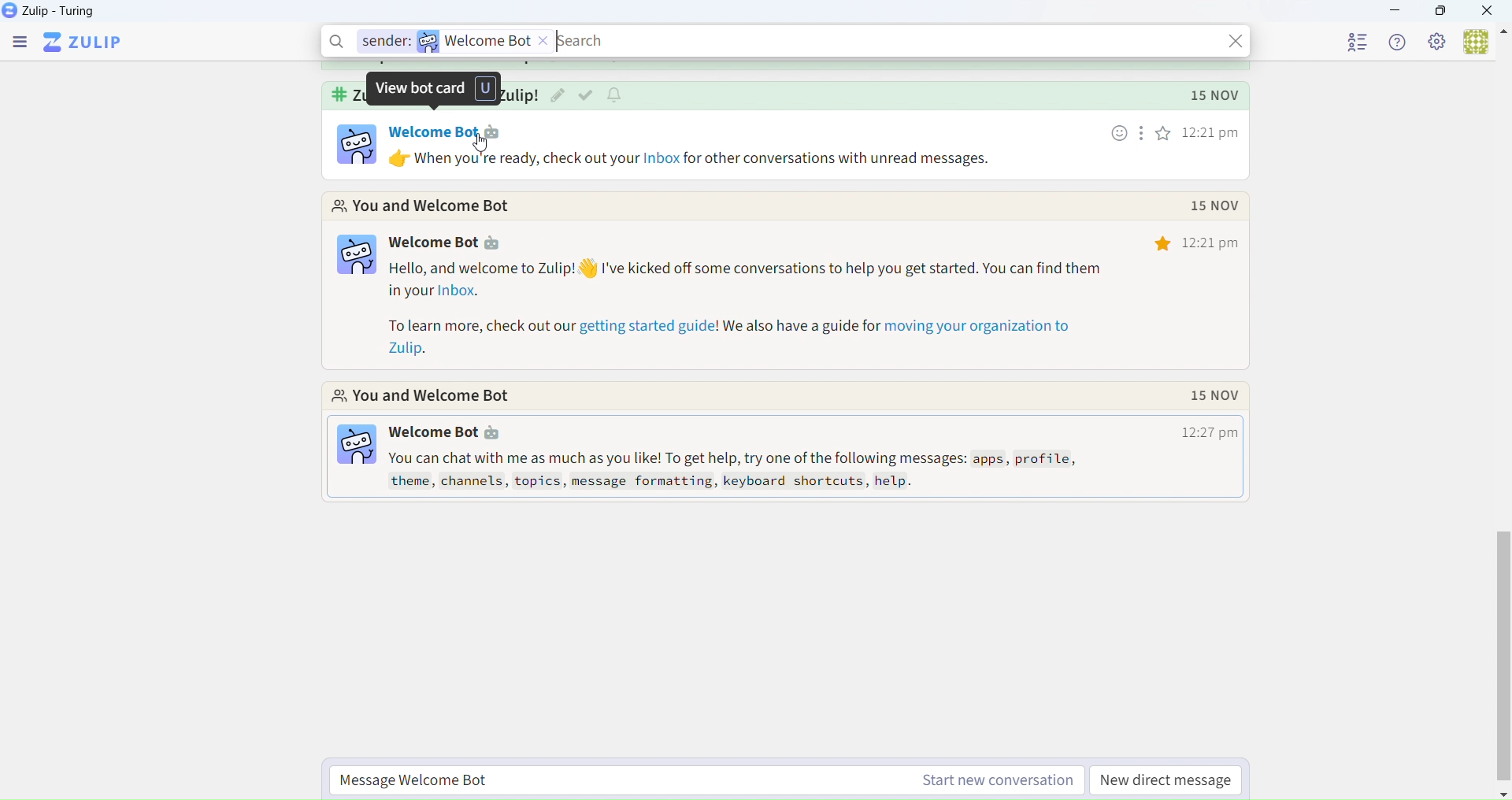 The height and width of the screenshot is (800, 1512). What do you see at coordinates (746, 470) in the screenshot?
I see `You can chat with me as much as you like! To get help, try one of the following messages: apps, profile,theme, channels, topics, message formatting, keyboard shortcuts, help.` at bounding box center [746, 470].